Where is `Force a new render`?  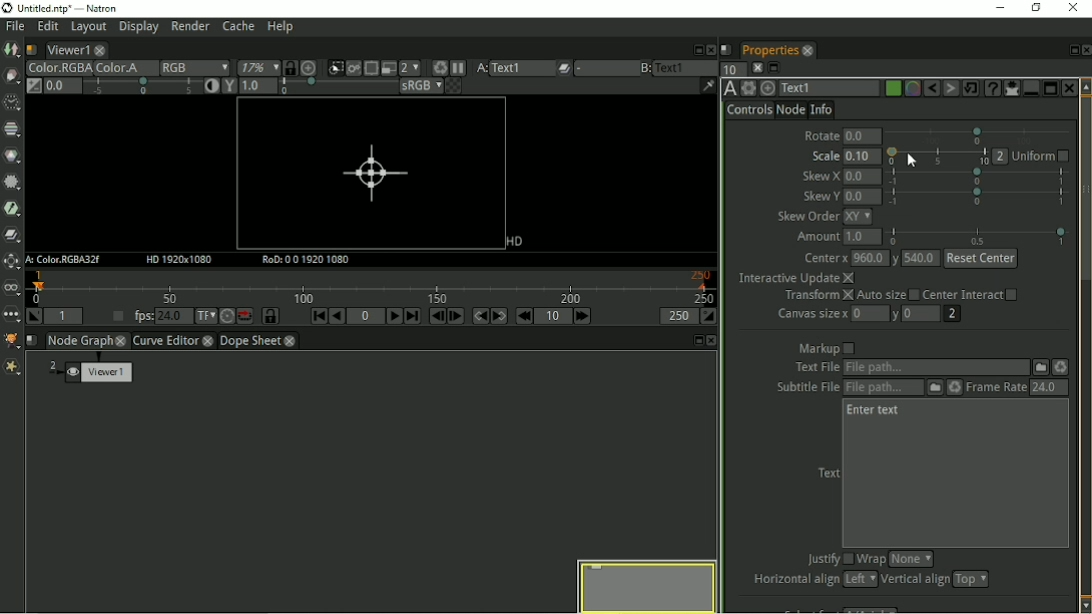
Force a new render is located at coordinates (438, 67).